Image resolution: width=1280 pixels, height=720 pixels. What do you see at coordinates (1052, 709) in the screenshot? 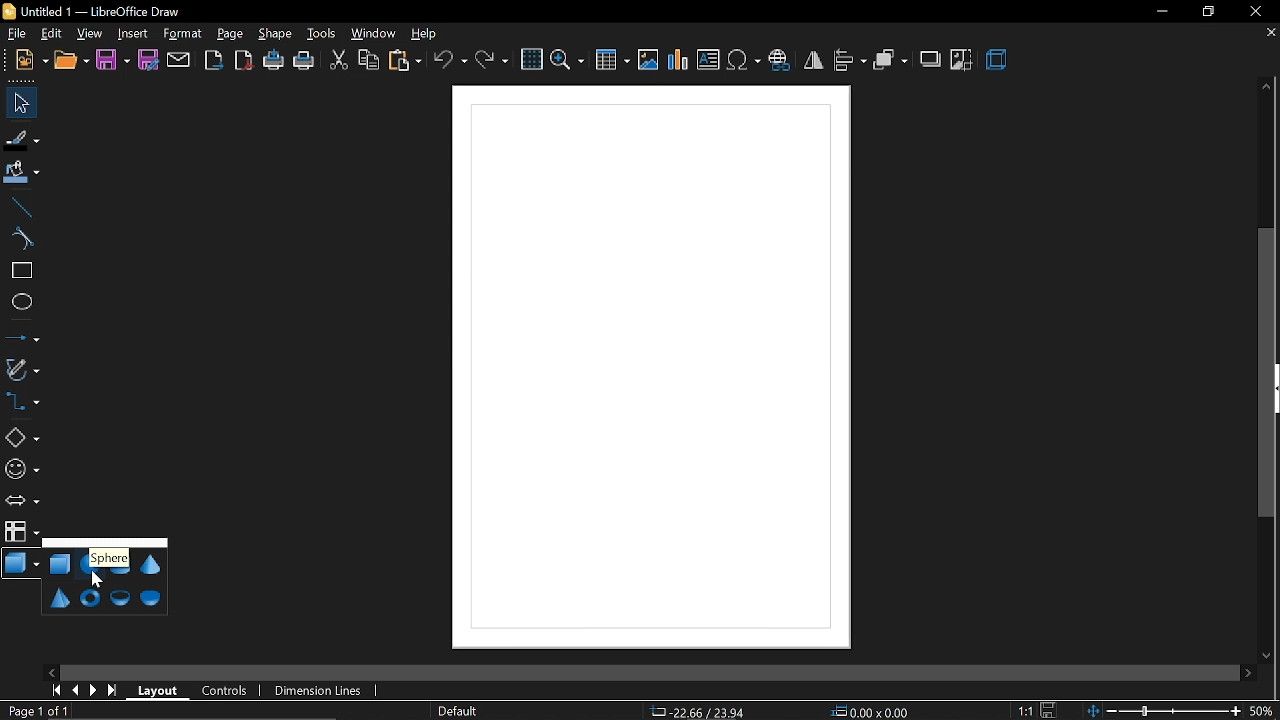
I see `save` at bounding box center [1052, 709].